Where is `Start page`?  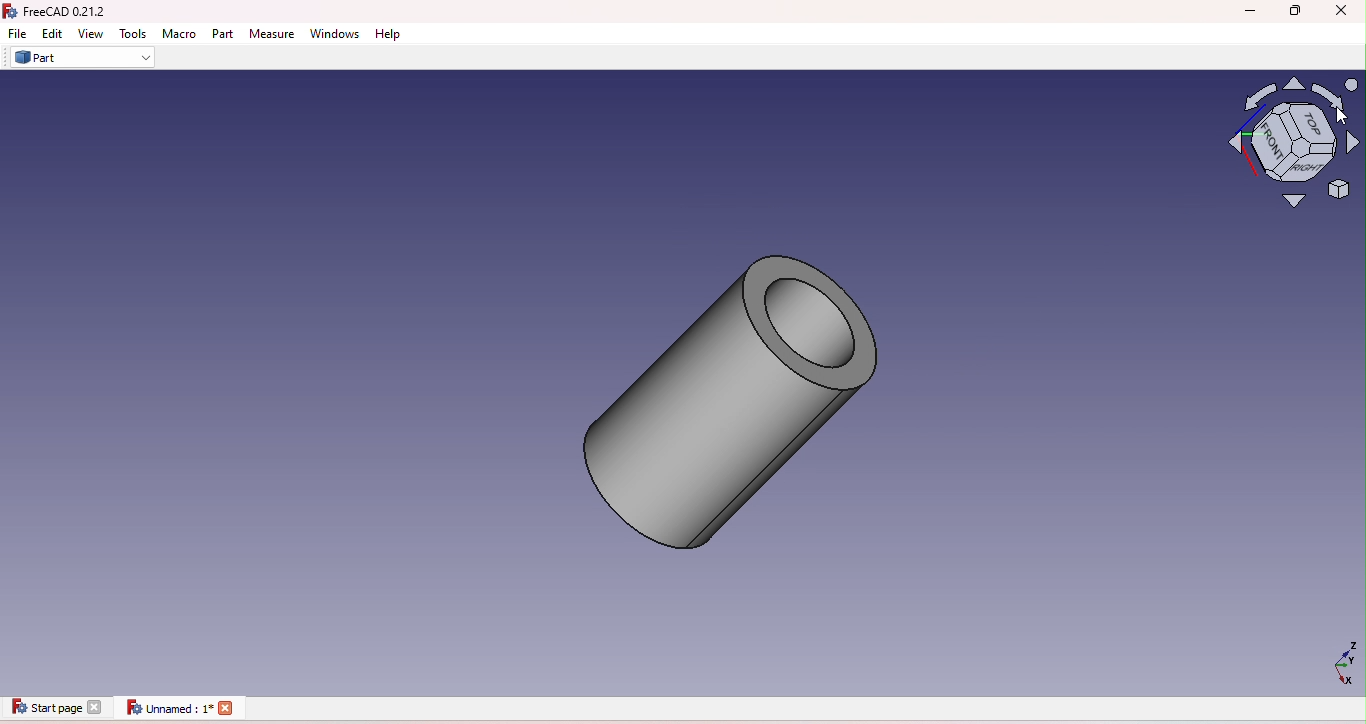
Start page is located at coordinates (56, 709).